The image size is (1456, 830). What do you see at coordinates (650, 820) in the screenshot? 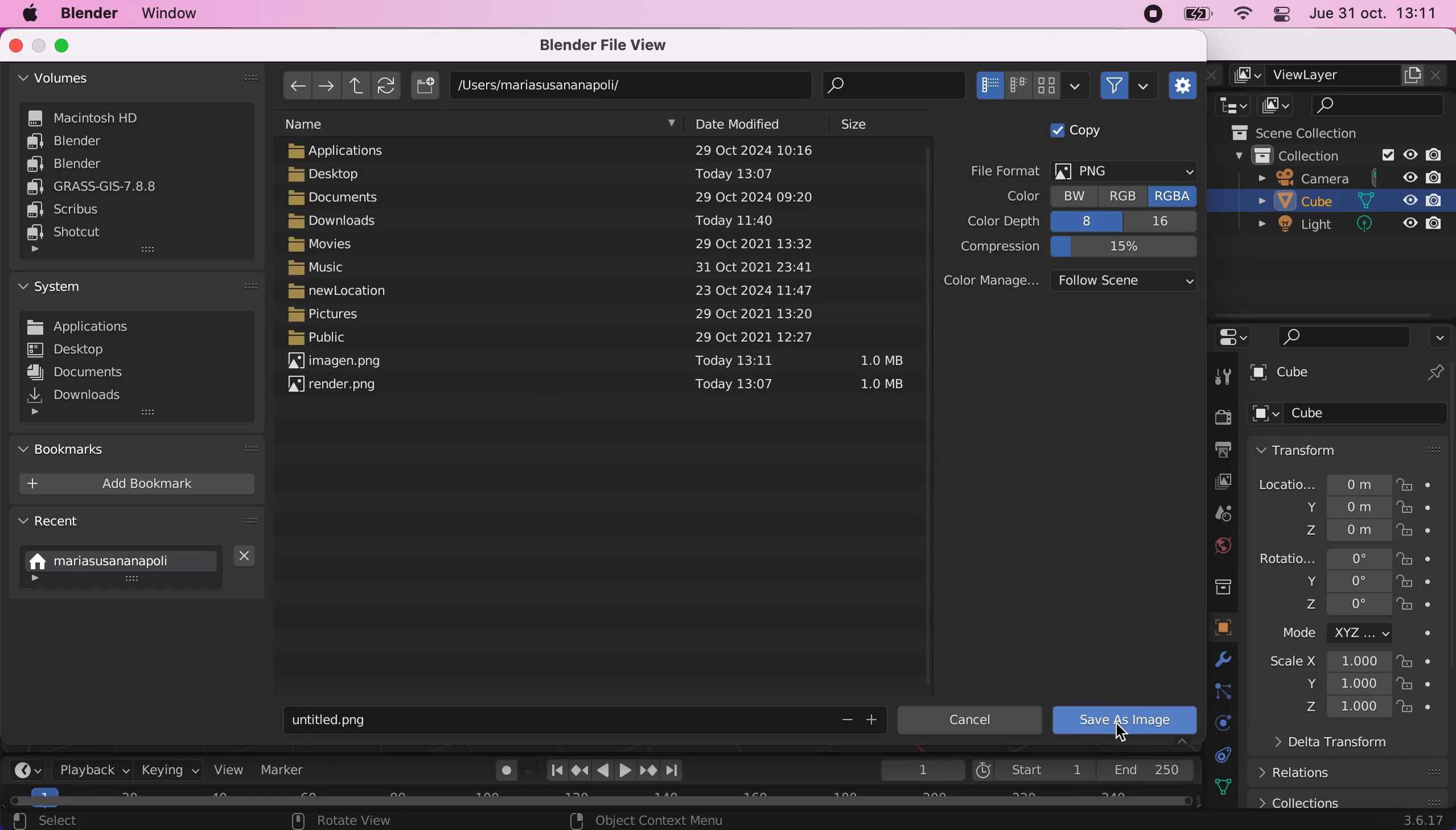
I see `object context menu` at bounding box center [650, 820].